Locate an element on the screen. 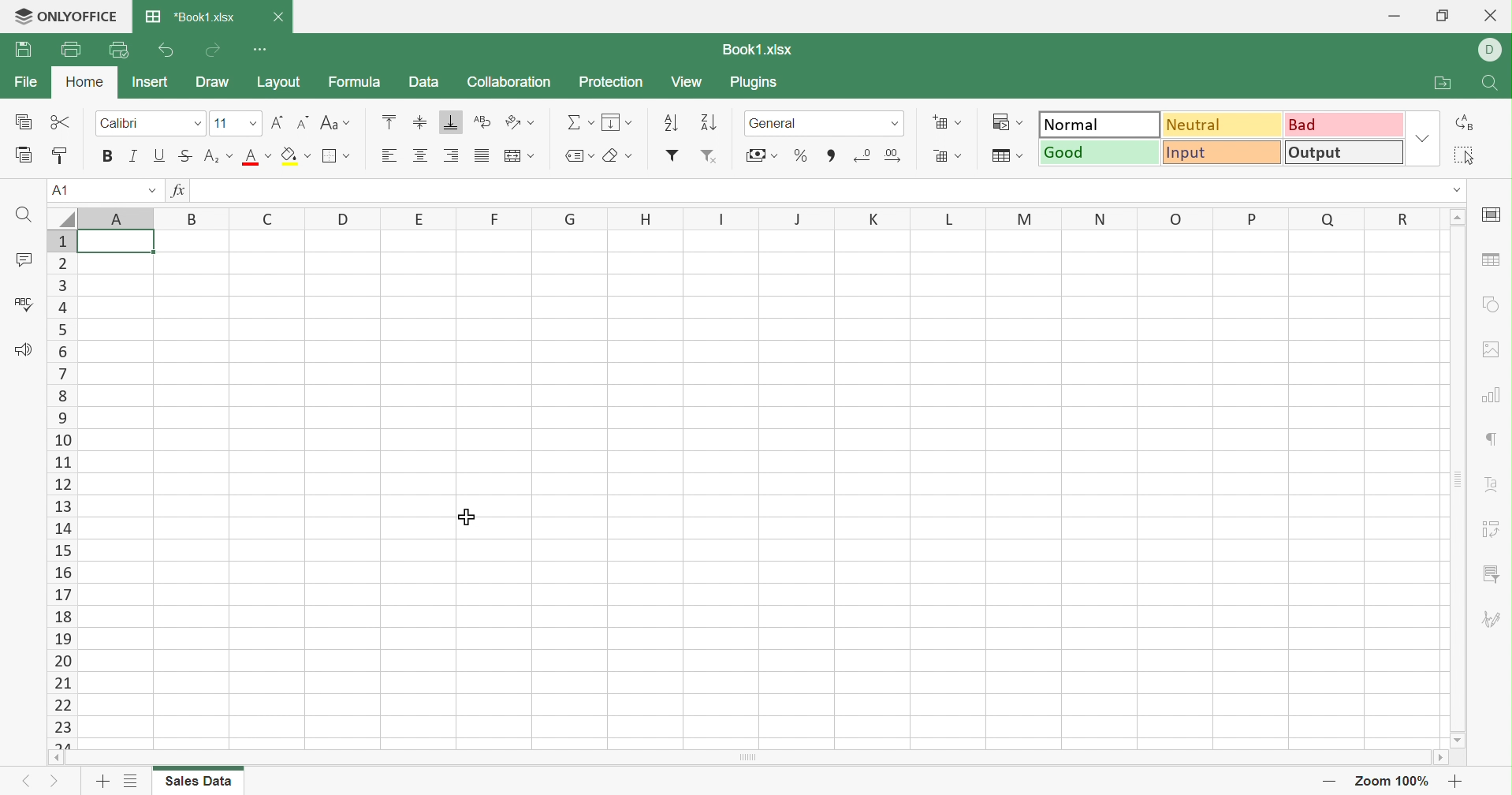  Align Middle is located at coordinates (419, 121).